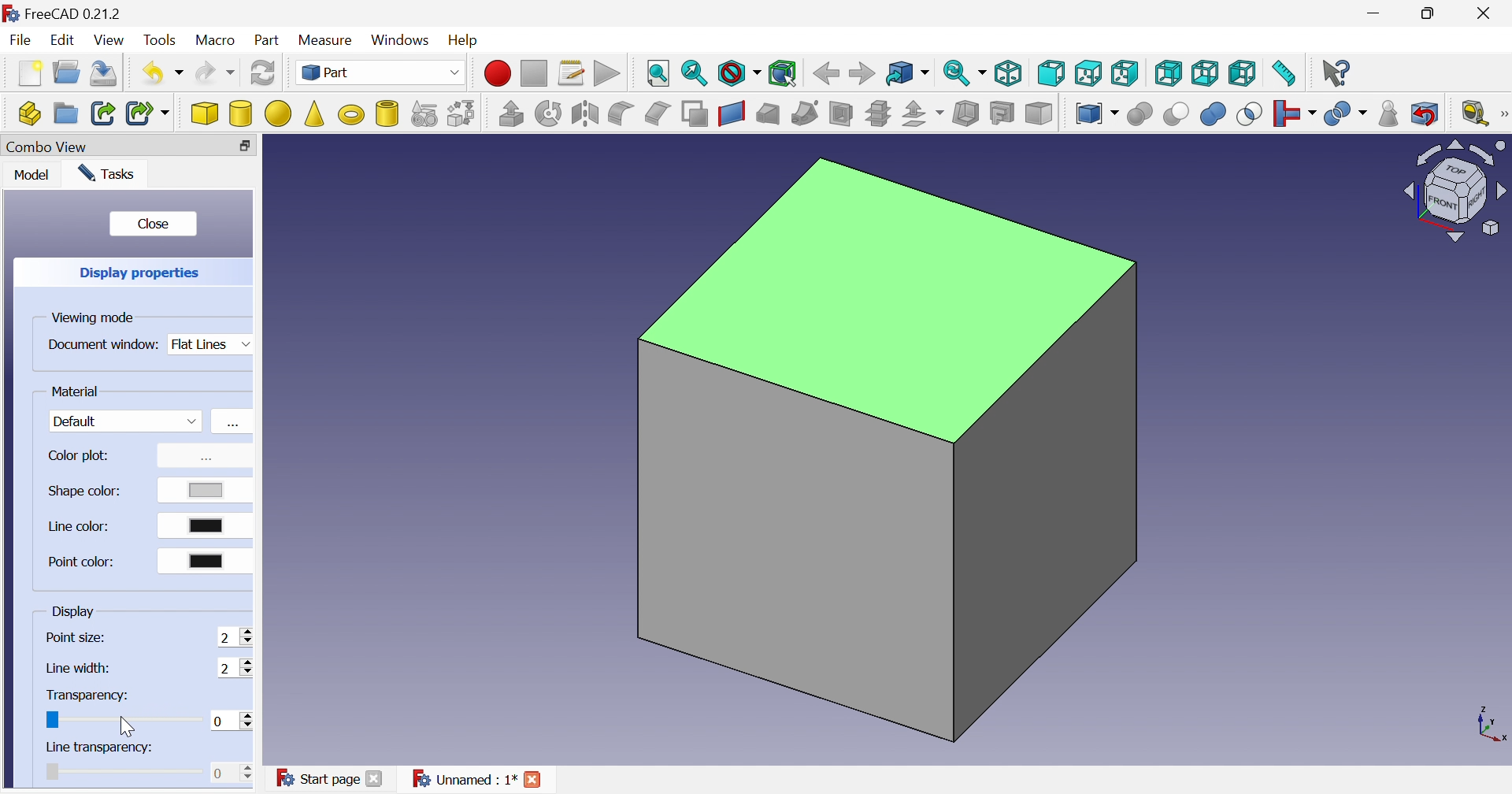 Image resolution: width=1512 pixels, height=794 pixels. I want to click on Loft, so click(768, 114).